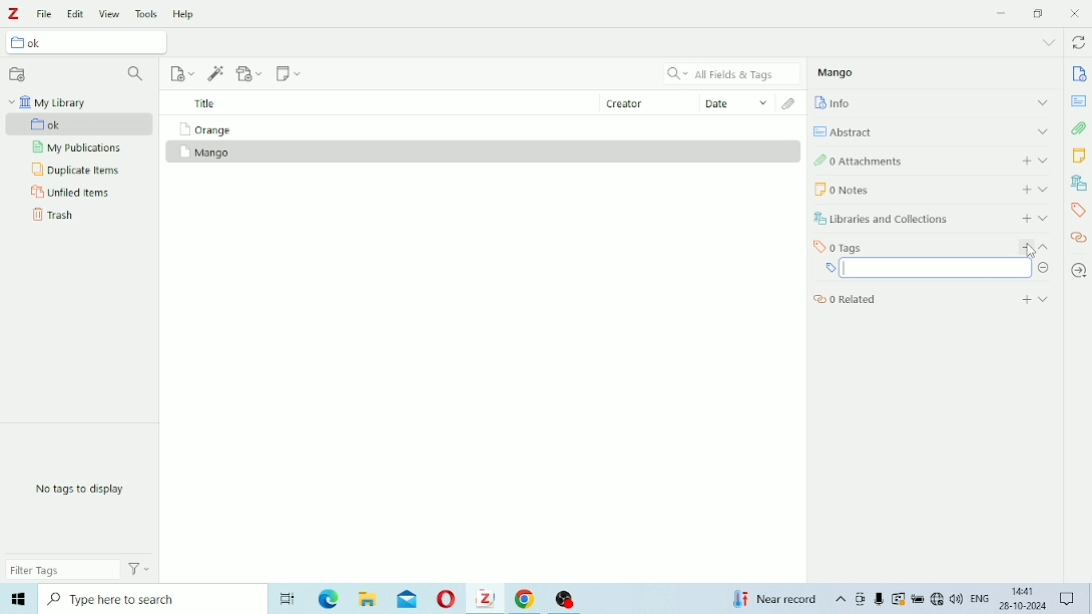 Image resolution: width=1092 pixels, height=614 pixels. I want to click on Edit, so click(76, 15).